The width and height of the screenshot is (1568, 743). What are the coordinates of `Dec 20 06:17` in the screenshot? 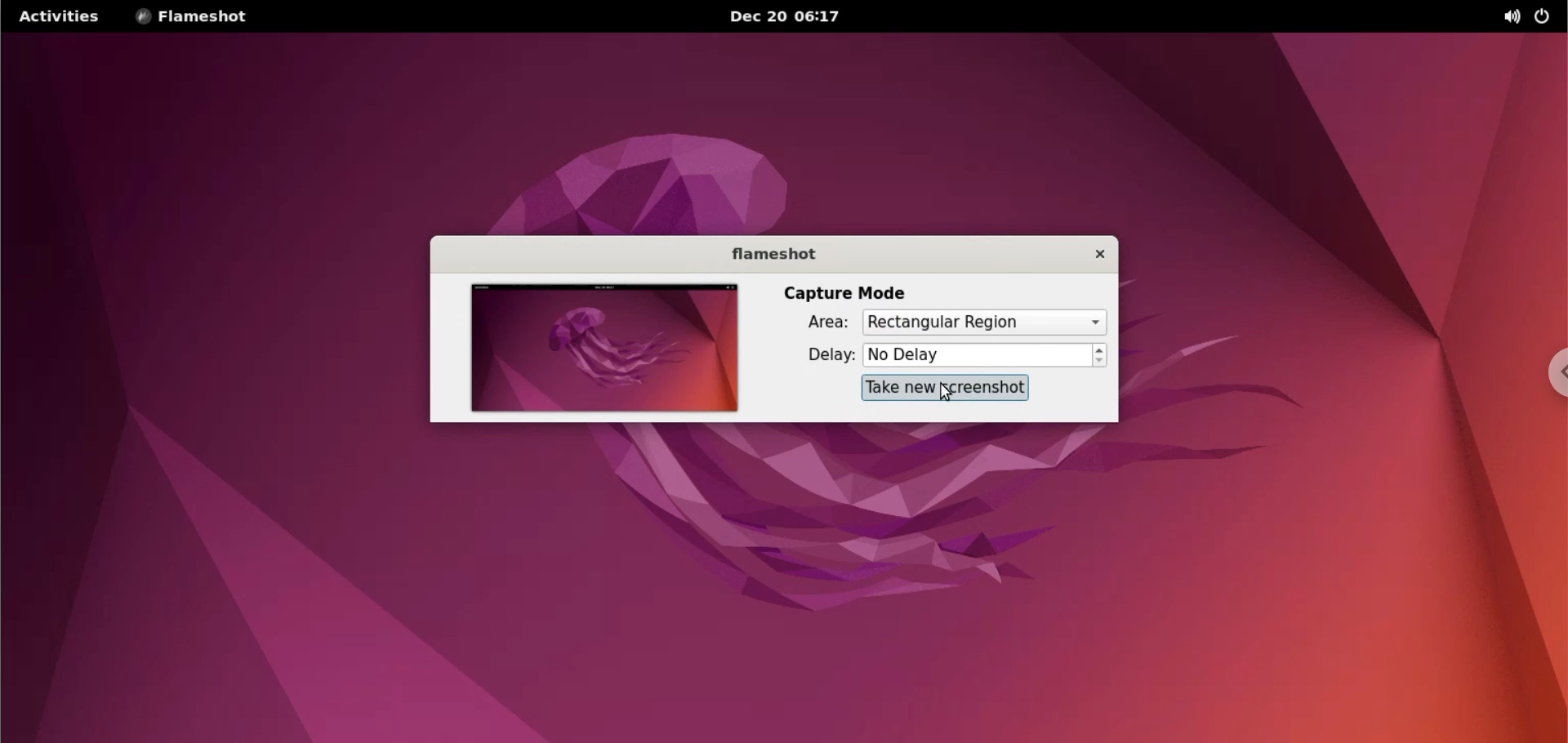 It's located at (797, 16).